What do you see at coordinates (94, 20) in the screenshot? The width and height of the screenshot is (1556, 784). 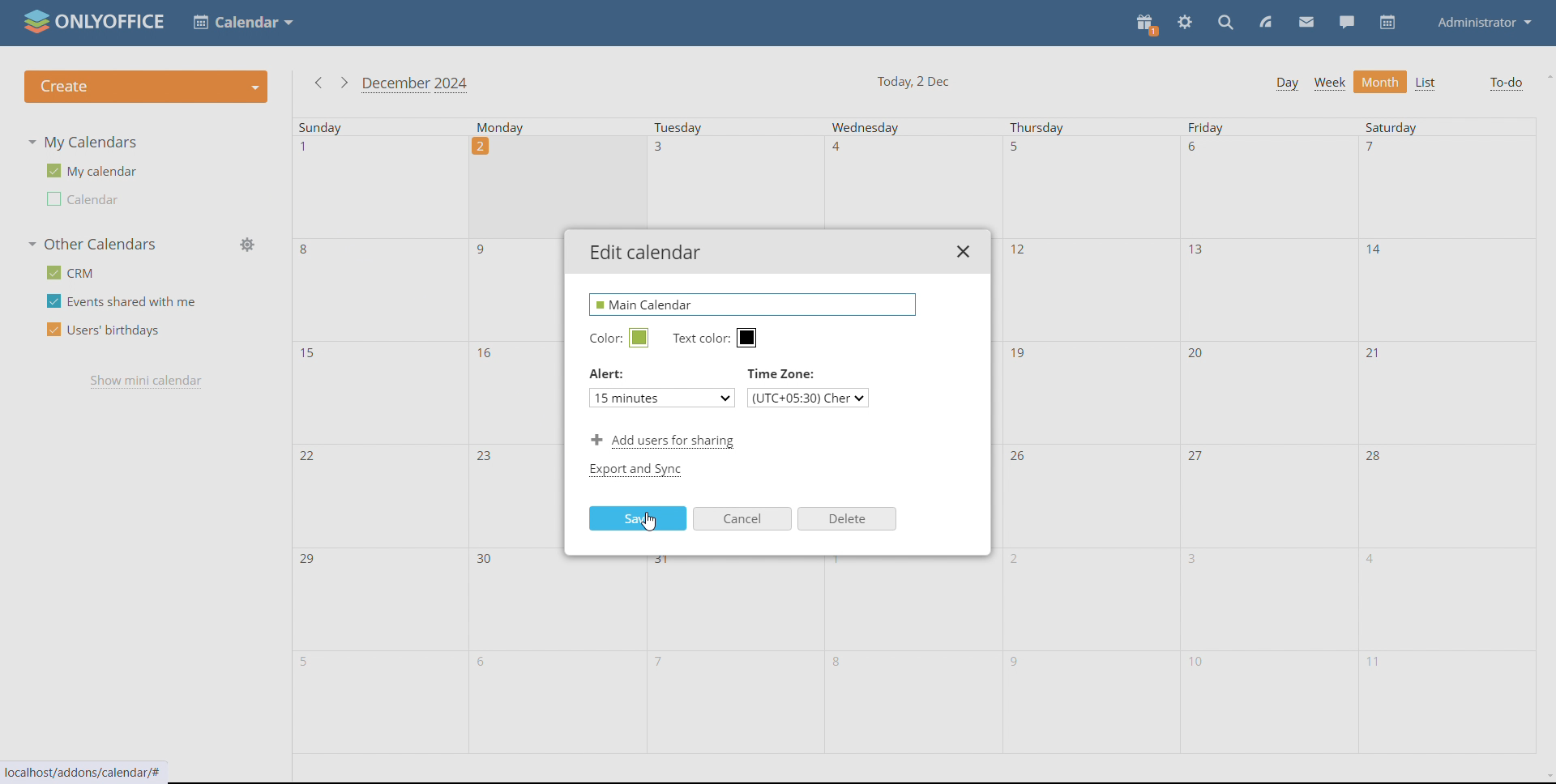 I see `logo` at bounding box center [94, 20].